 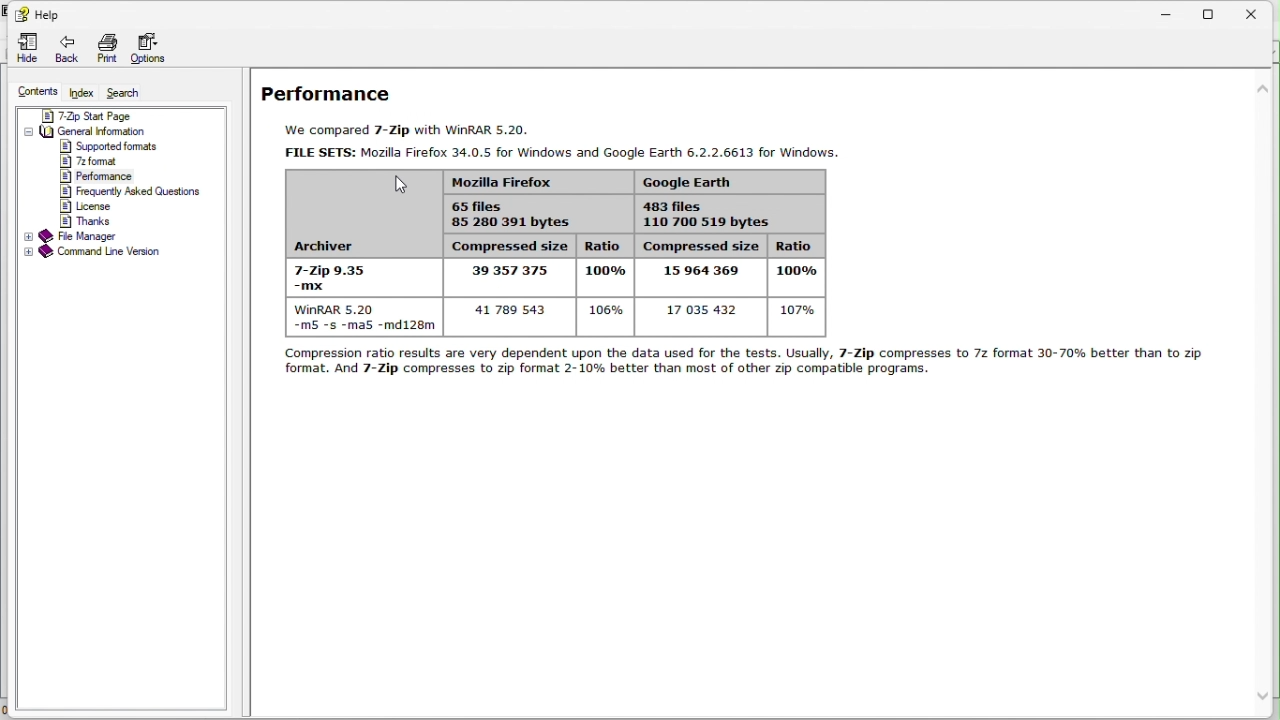 I want to click on Search, so click(x=130, y=93).